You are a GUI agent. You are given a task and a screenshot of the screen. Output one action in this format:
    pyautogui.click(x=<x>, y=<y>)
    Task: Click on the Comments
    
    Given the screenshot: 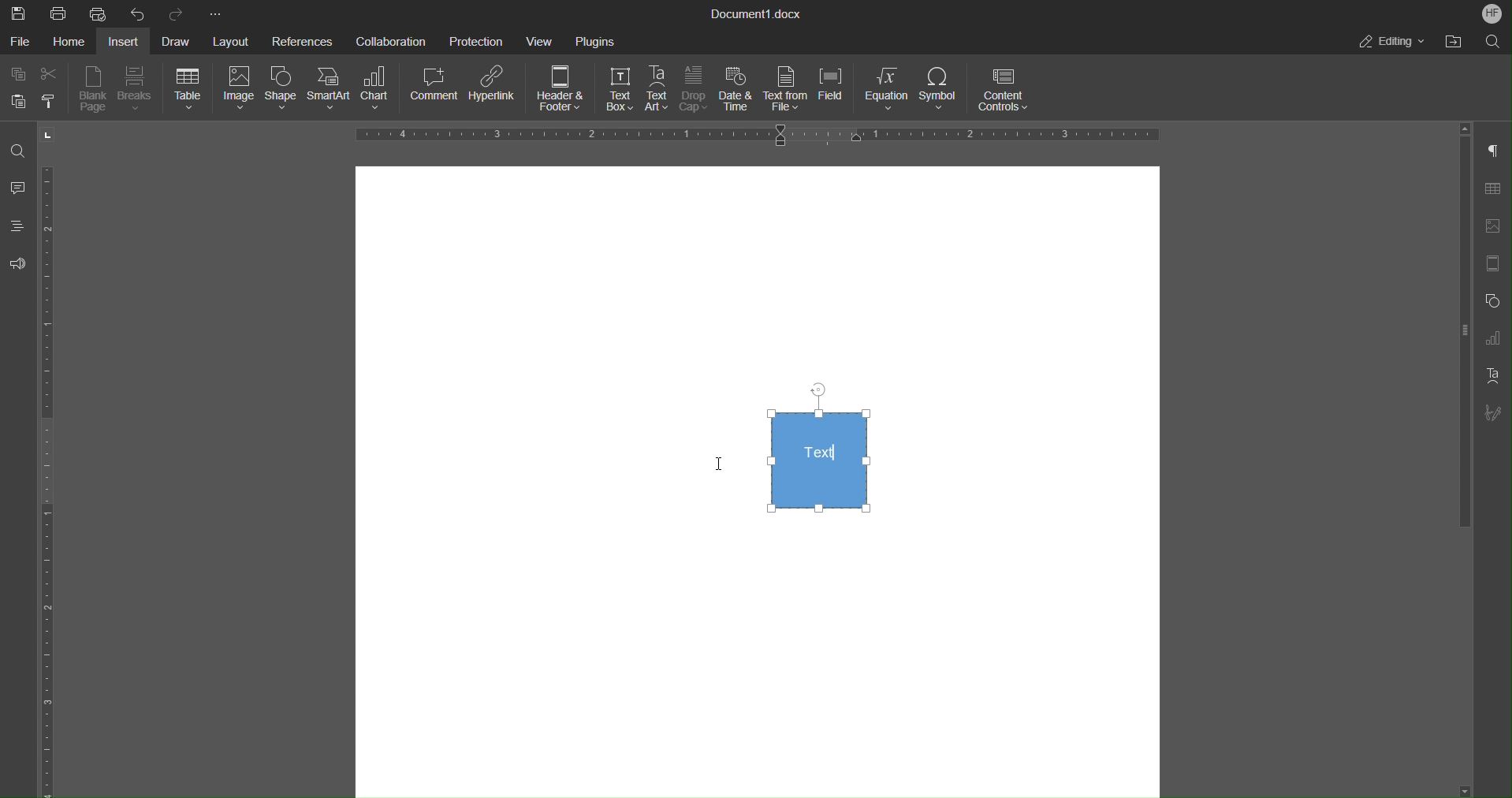 What is the action you would take?
    pyautogui.click(x=19, y=189)
    